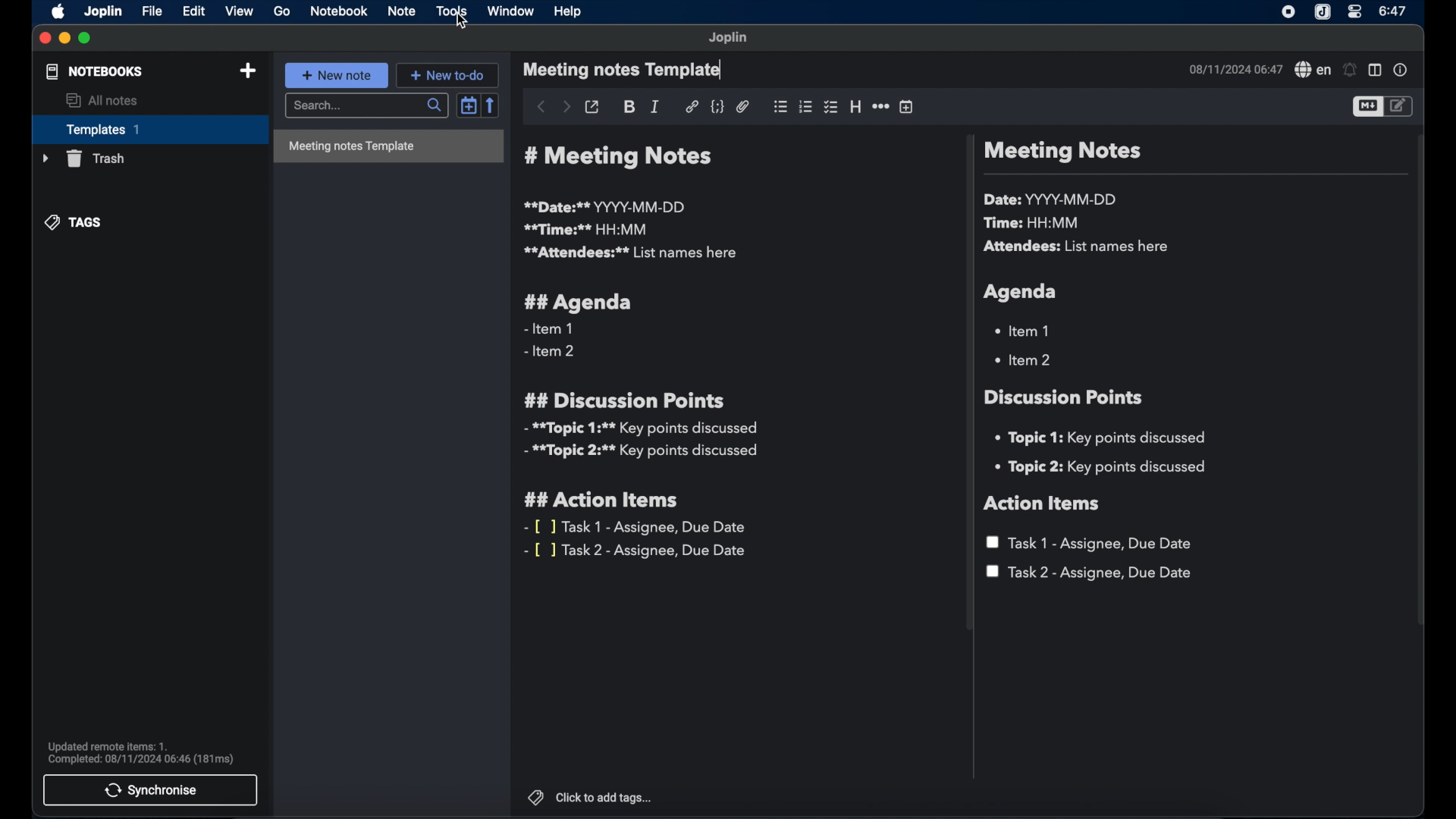 The width and height of the screenshot is (1456, 819). What do you see at coordinates (102, 11) in the screenshot?
I see `Joplin` at bounding box center [102, 11].